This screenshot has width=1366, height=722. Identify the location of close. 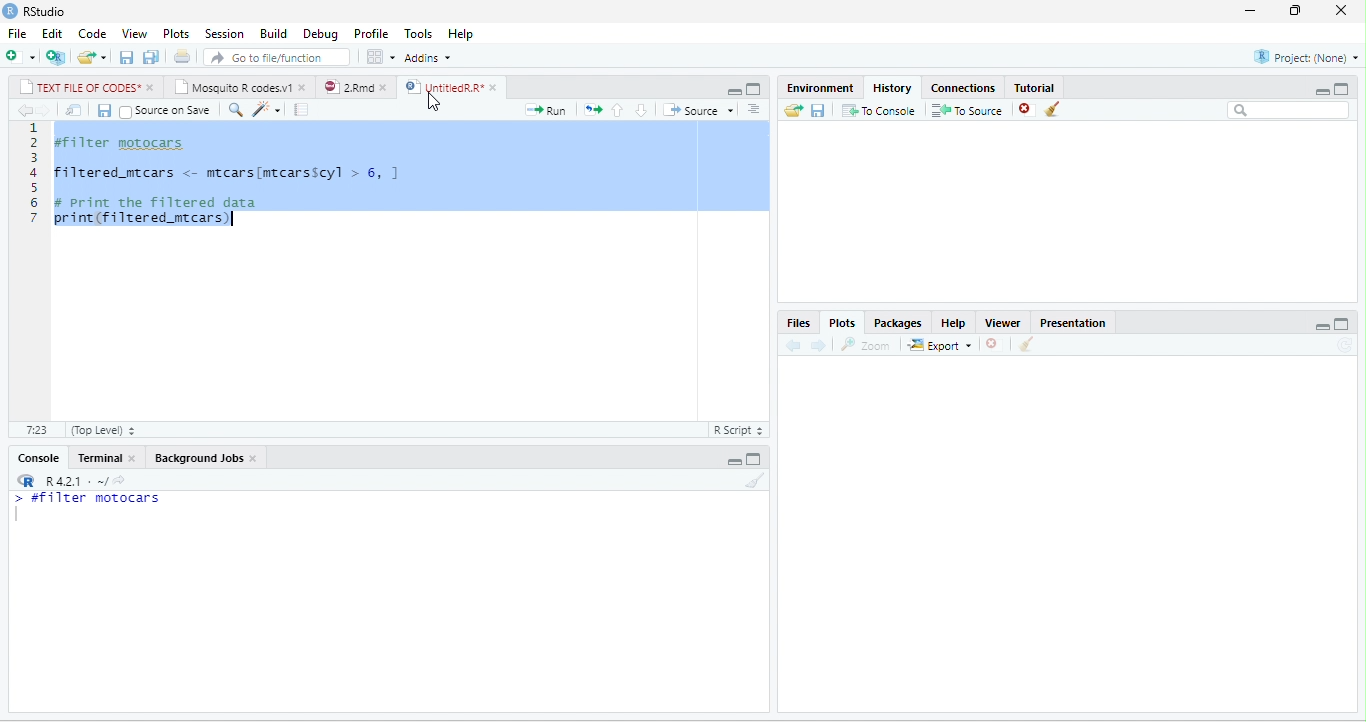
(153, 87).